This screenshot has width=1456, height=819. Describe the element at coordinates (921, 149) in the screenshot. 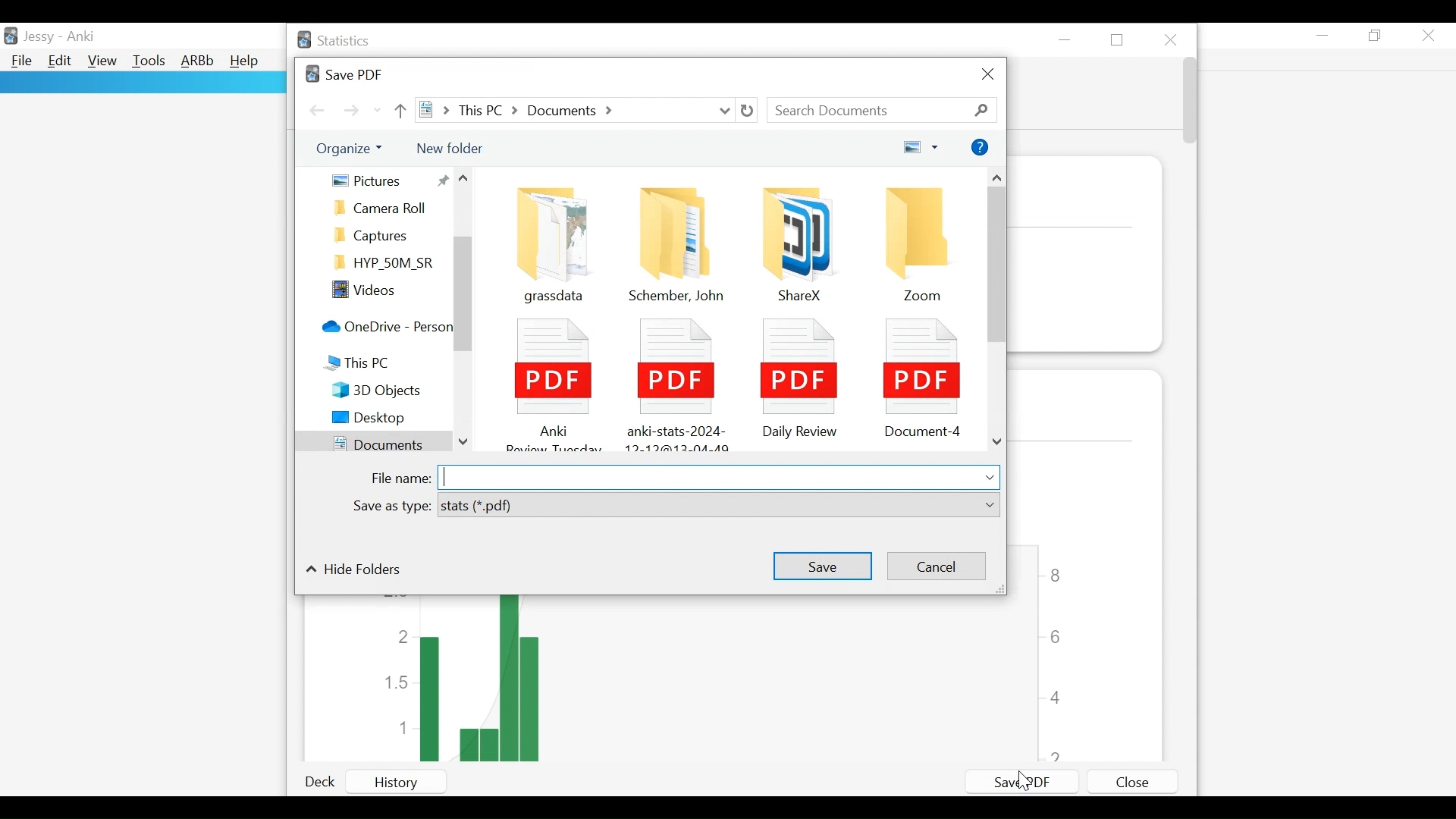

I see `Show your view as` at that location.